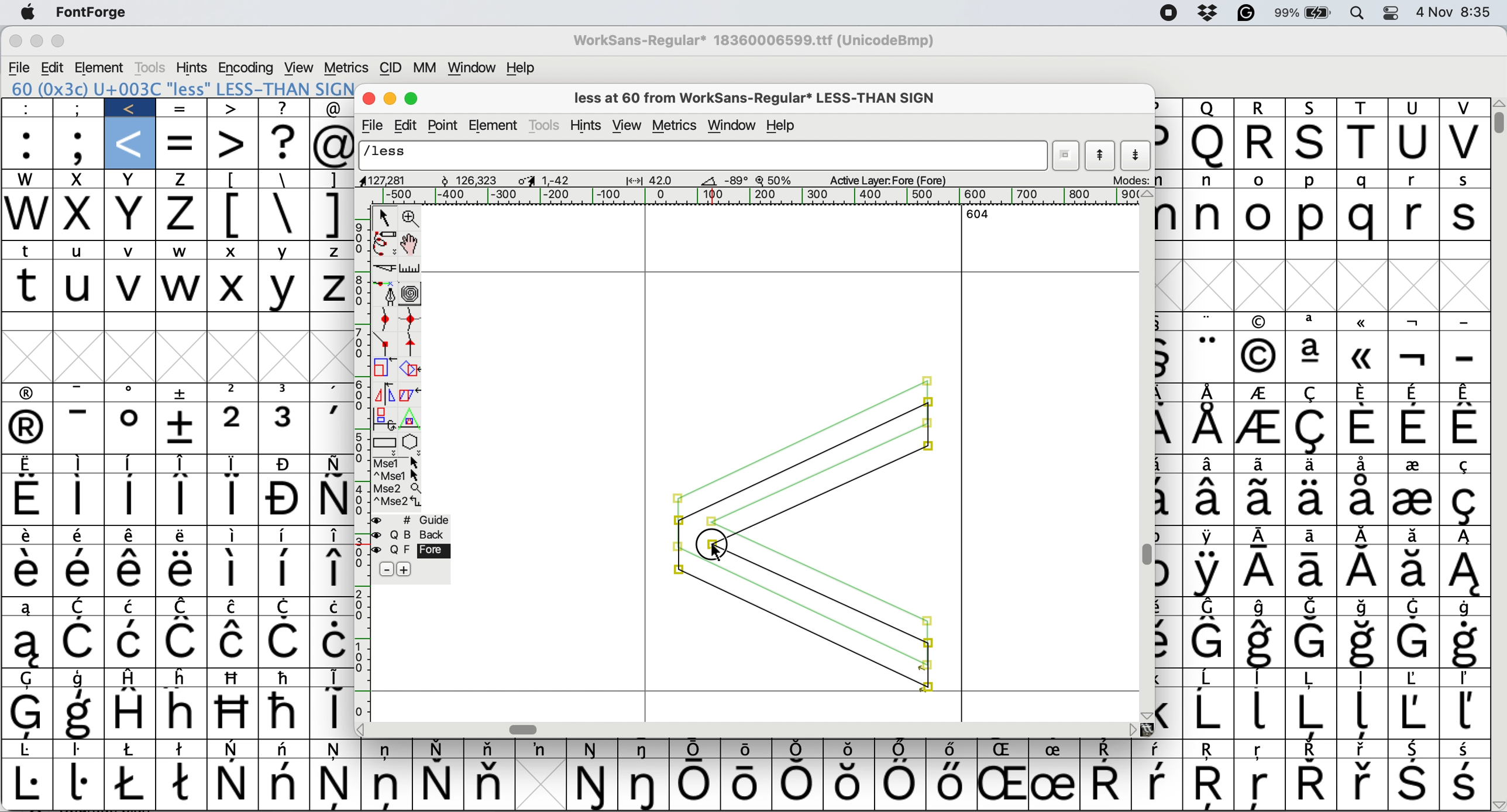 The image size is (1507, 812). What do you see at coordinates (383, 441) in the screenshot?
I see `rectangle or ellipse` at bounding box center [383, 441].